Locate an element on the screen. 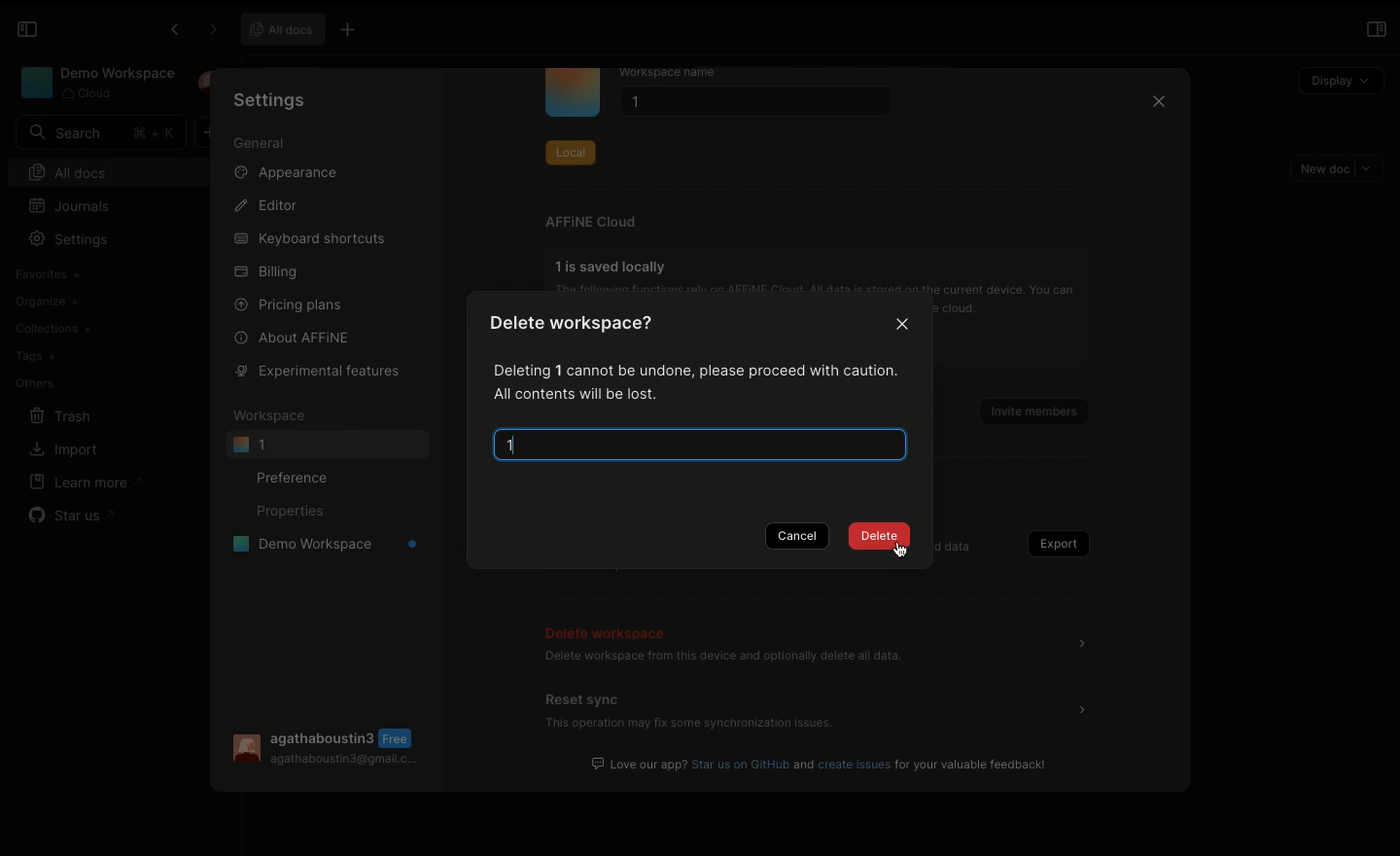  Others is located at coordinates (34, 381).